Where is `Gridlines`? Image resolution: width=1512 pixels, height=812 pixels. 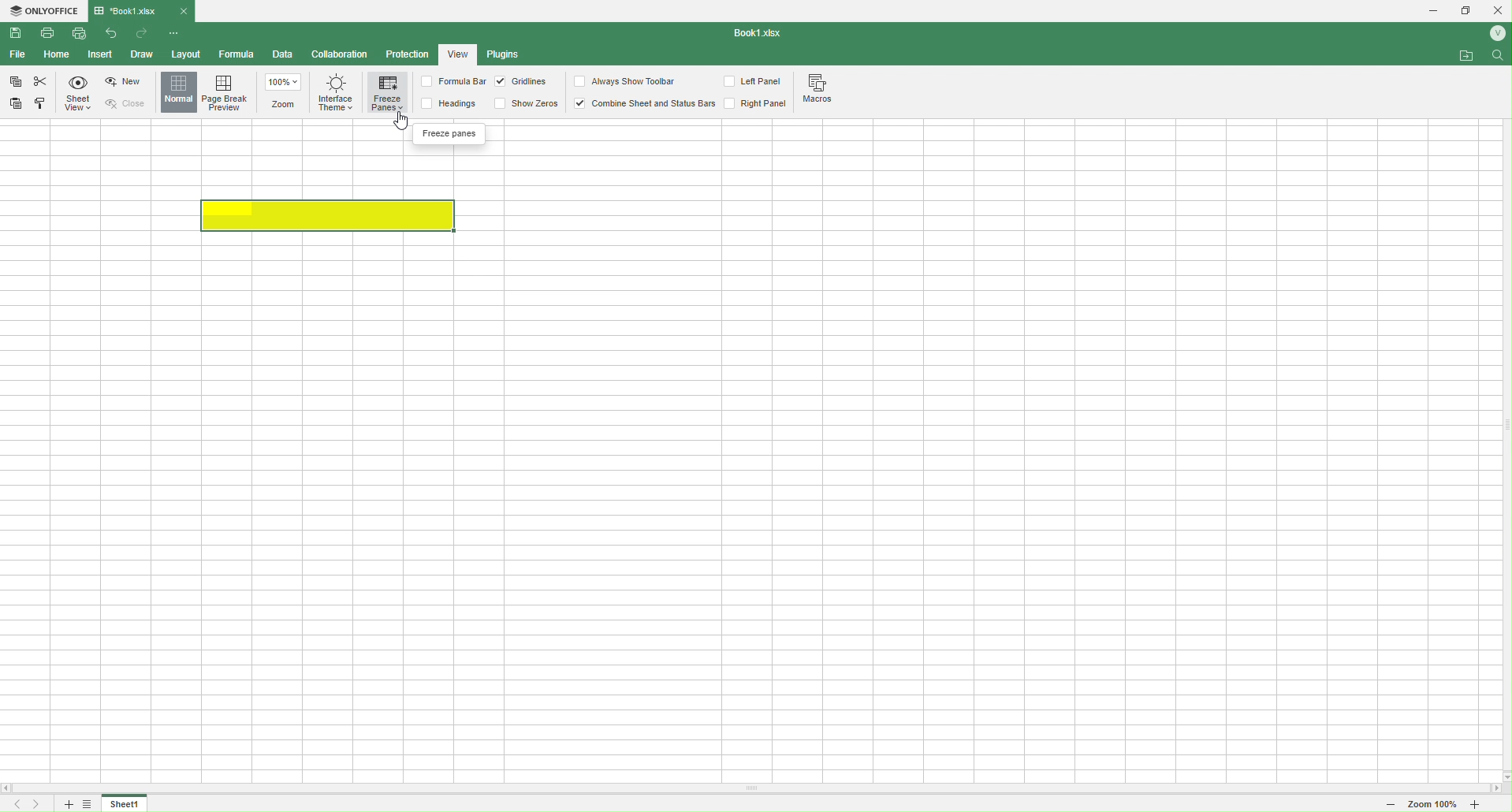
Gridlines is located at coordinates (523, 82).